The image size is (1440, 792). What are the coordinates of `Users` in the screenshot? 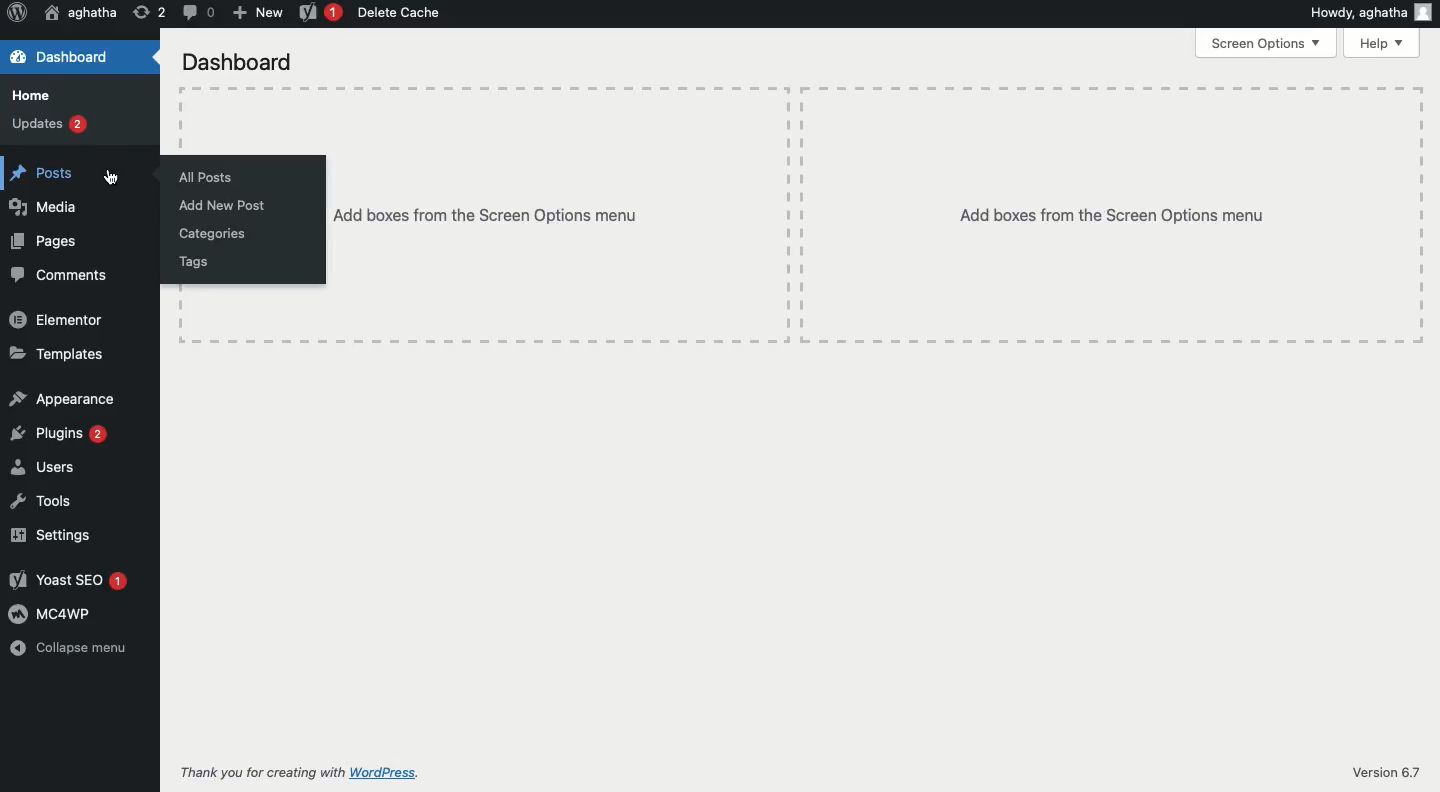 It's located at (44, 466).